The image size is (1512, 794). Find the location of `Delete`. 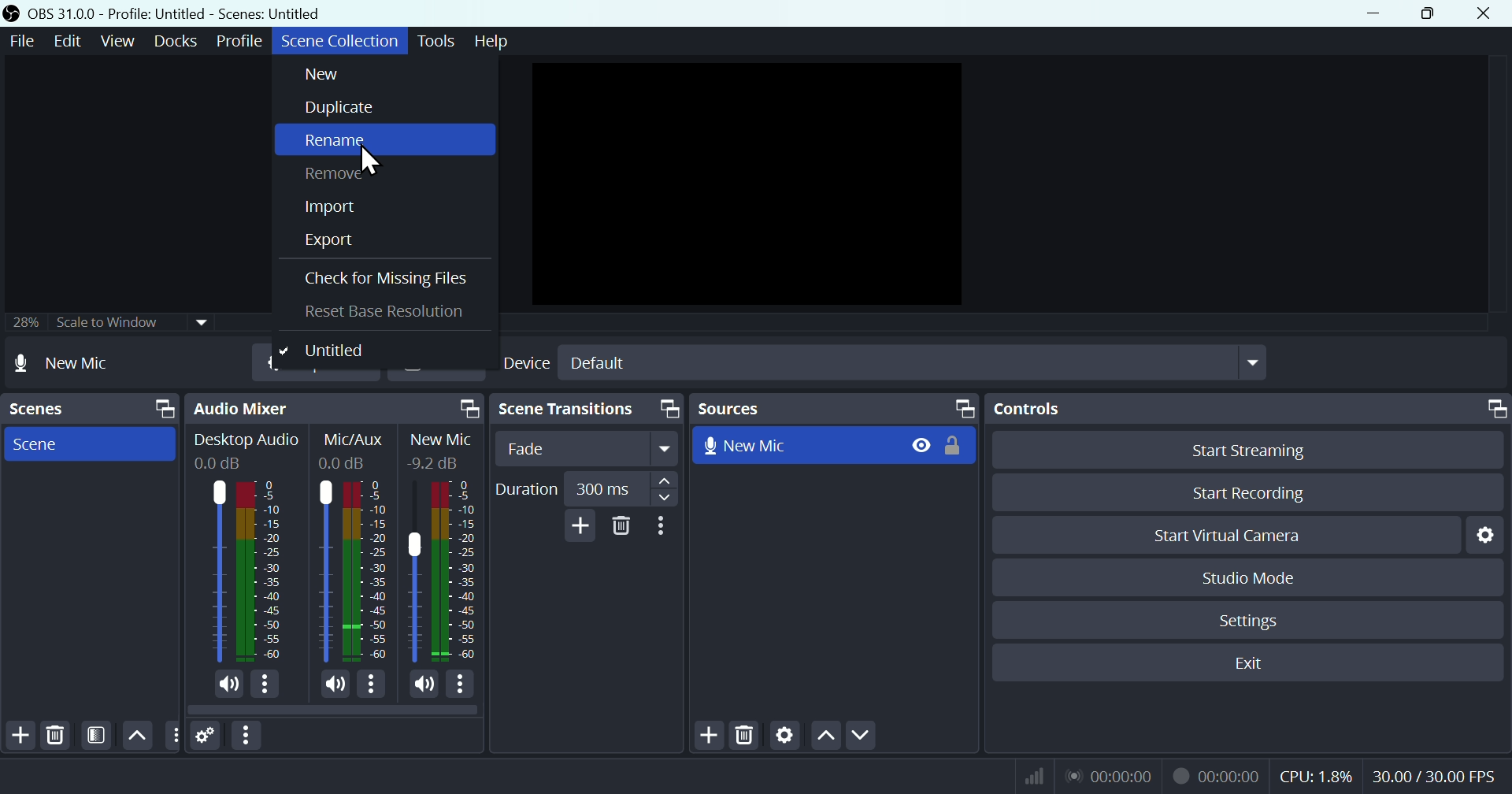

Delete is located at coordinates (746, 734).